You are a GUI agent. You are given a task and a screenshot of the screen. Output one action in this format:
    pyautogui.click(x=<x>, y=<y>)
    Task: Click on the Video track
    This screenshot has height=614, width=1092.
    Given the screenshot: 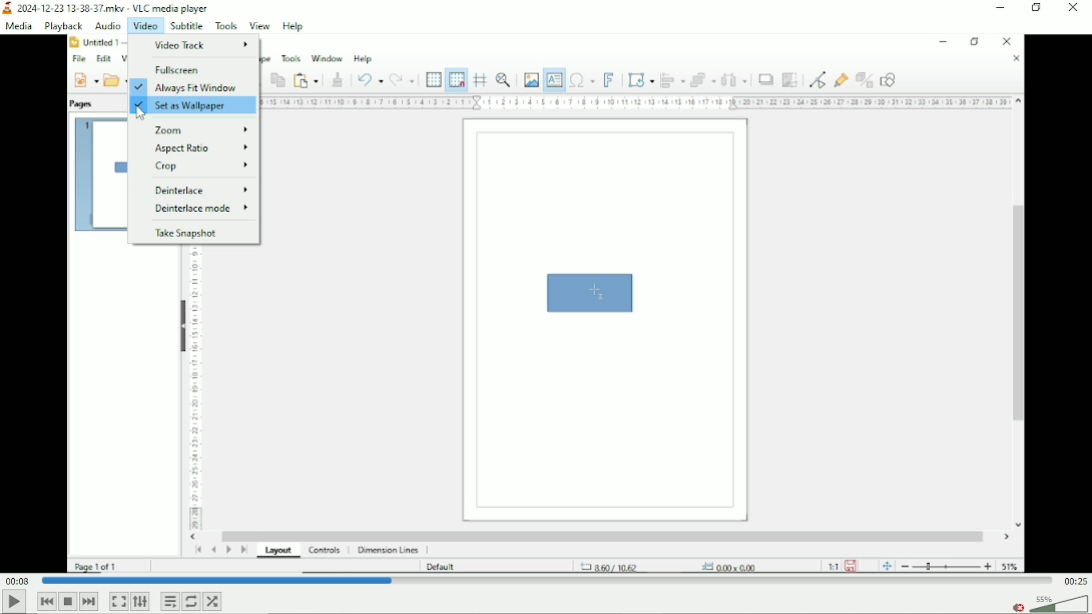 What is the action you would take?
    pyautogui.click(x=202, y=43)
    